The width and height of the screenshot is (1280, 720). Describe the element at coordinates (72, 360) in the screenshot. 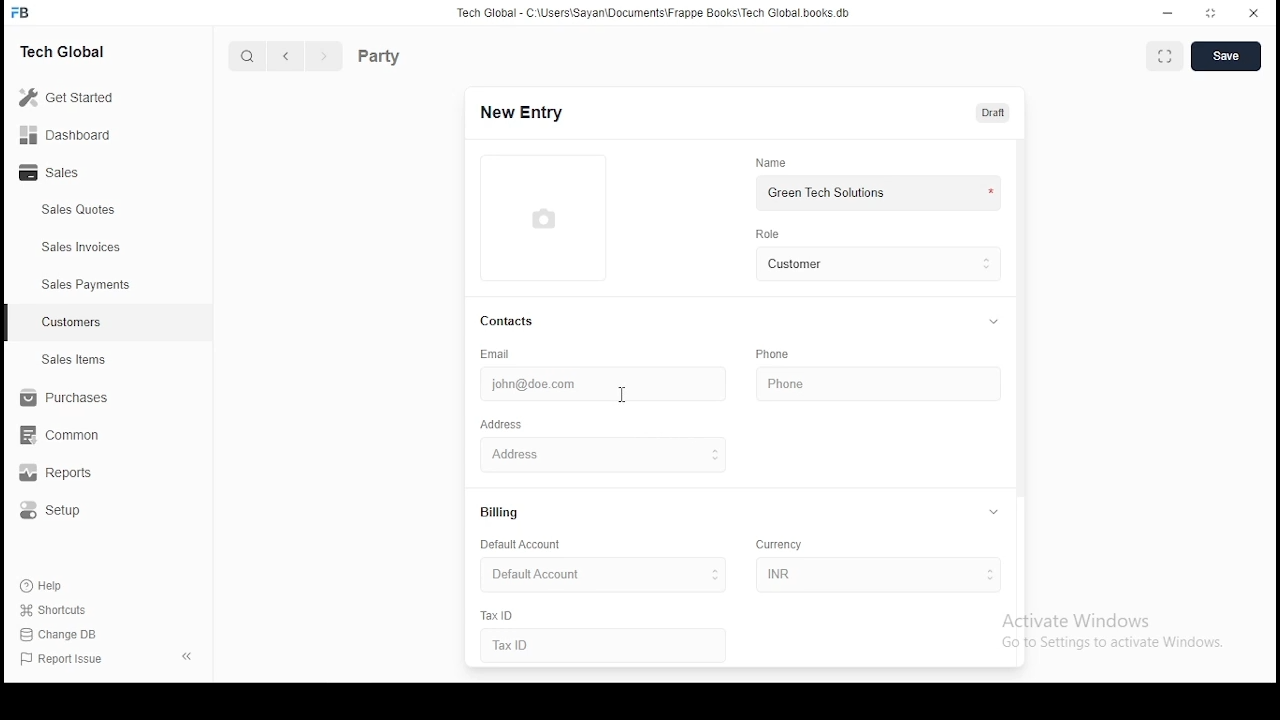

I see `sales items` at that location.